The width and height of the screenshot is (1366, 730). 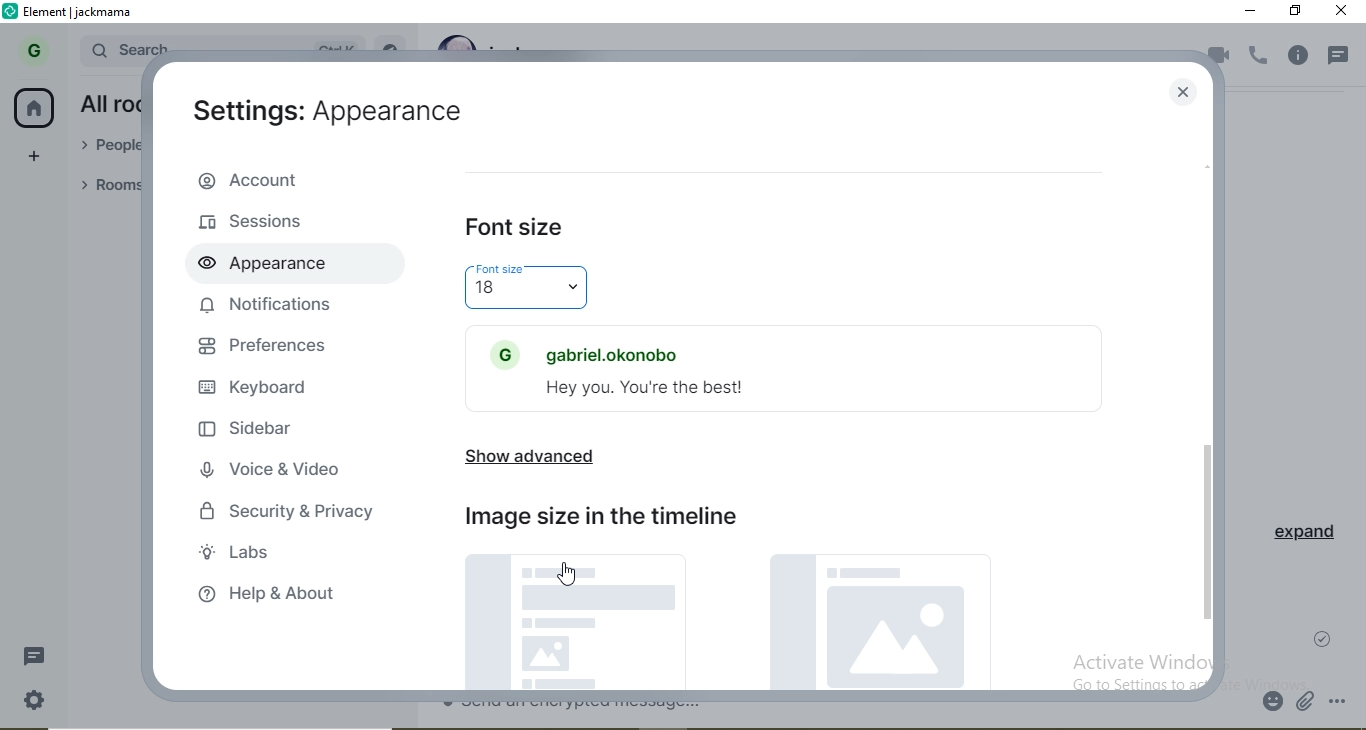 What do you see at coordinates (738, 614) in the screenshot?
I see `picture` at bounding box center [738, 614].